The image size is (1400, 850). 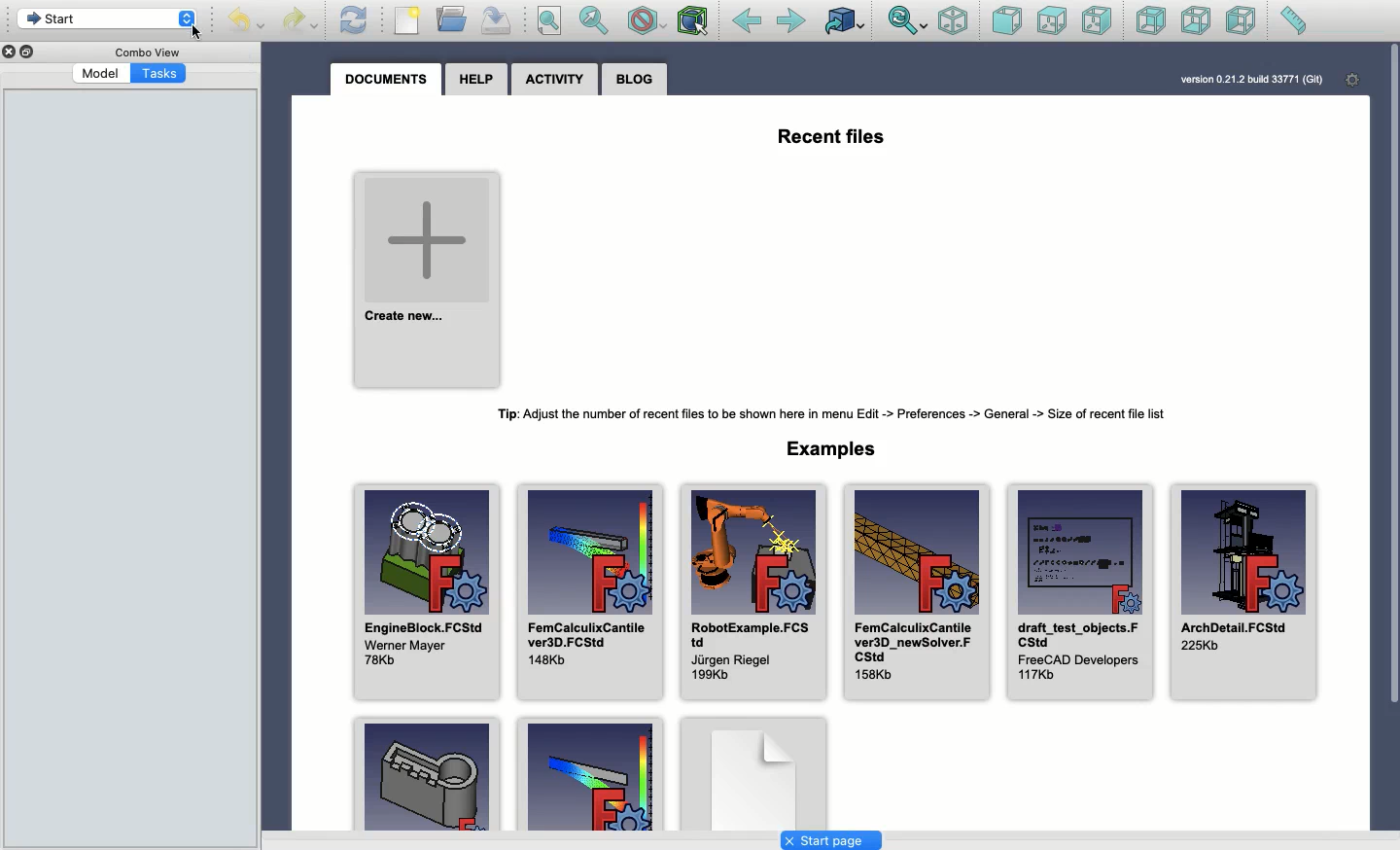 What do you see at coordinates (830, 841) in the screenshot?
I see `Start page` at bounding box center [830, 841].